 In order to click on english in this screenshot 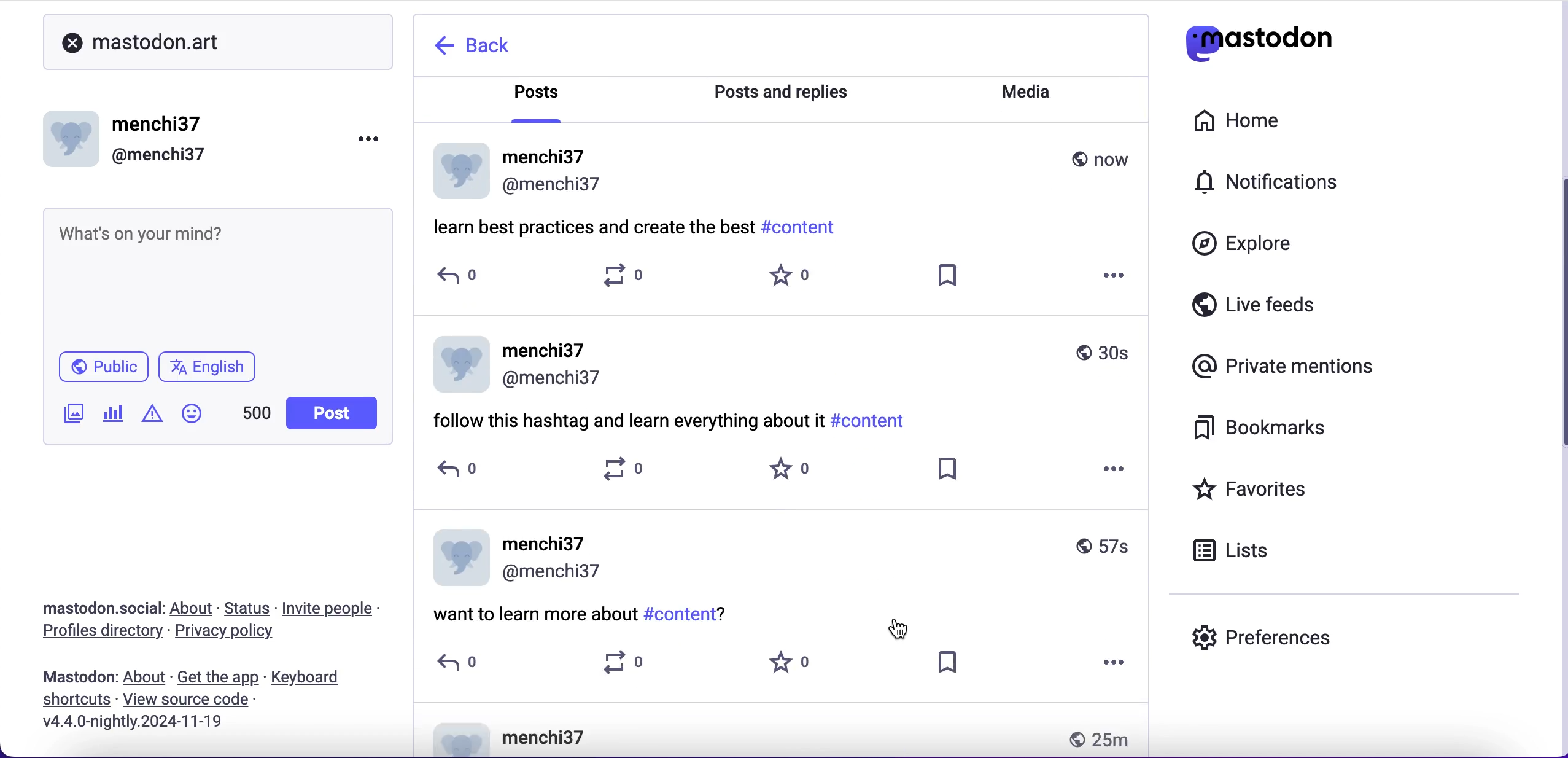, I will do `click(212, 370)`.